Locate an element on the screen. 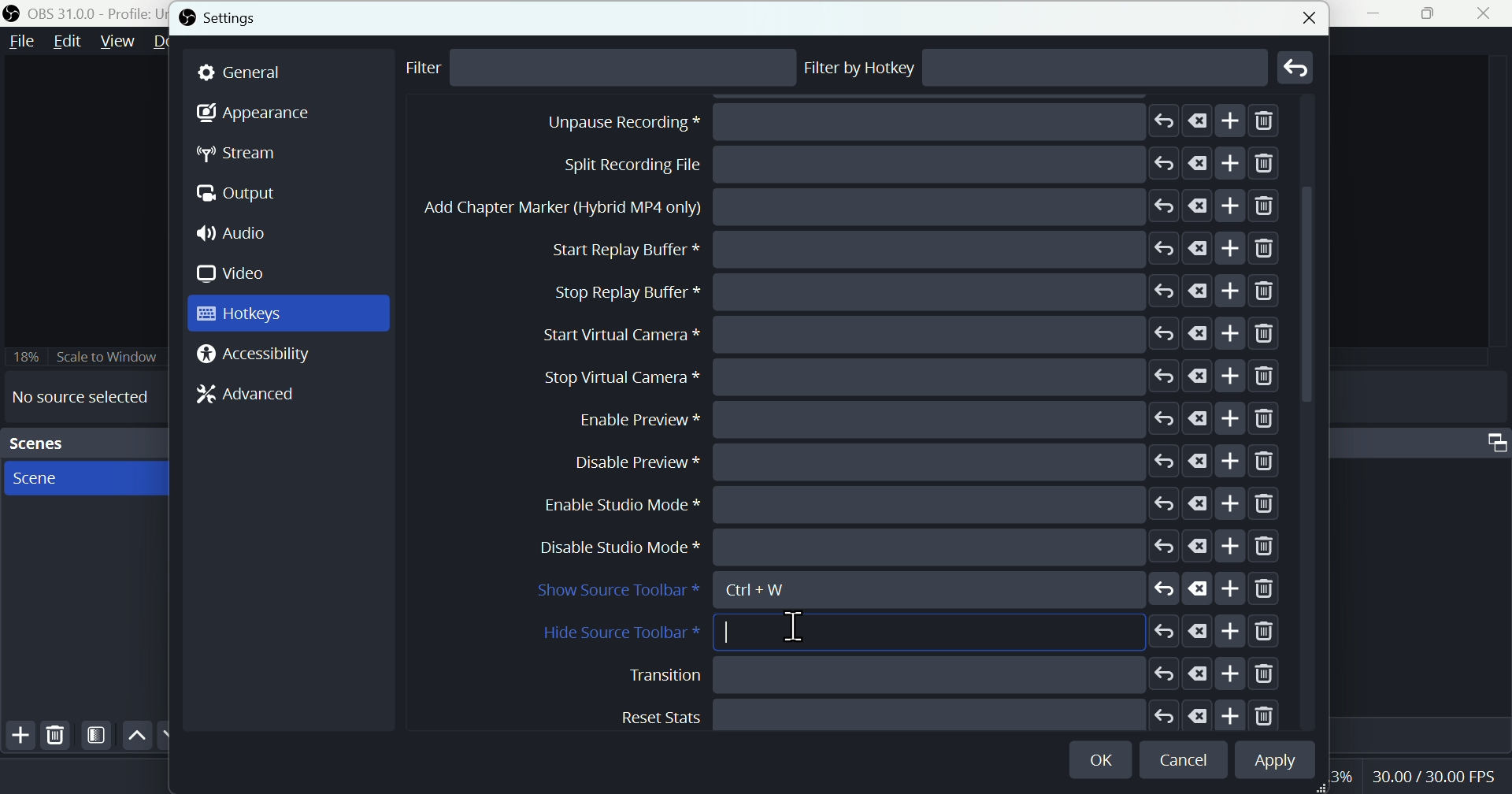 Image resolution: width=1512 pixels, height=794 pixels. Hot keys is located at coordinates (288, 314).